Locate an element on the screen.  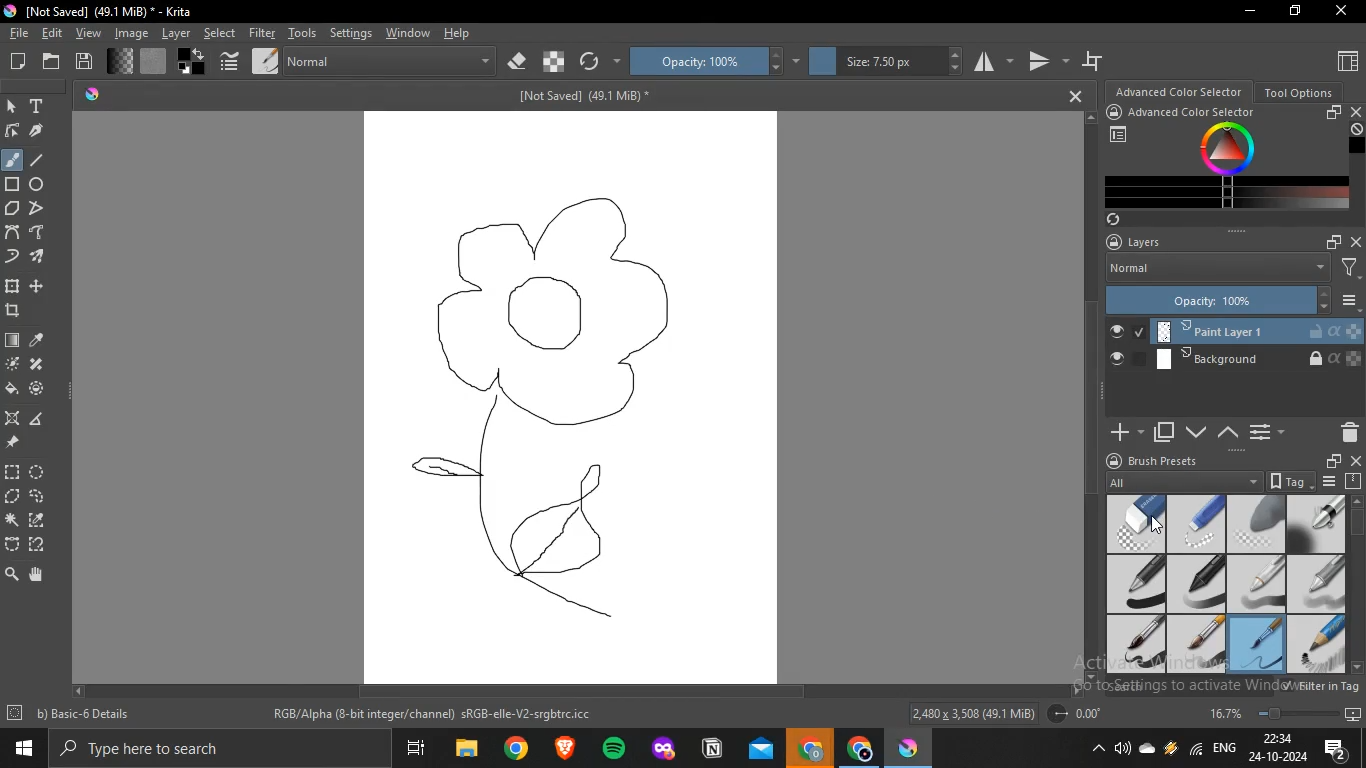
bezier curve selection tool is located at coordinates (13, 545).